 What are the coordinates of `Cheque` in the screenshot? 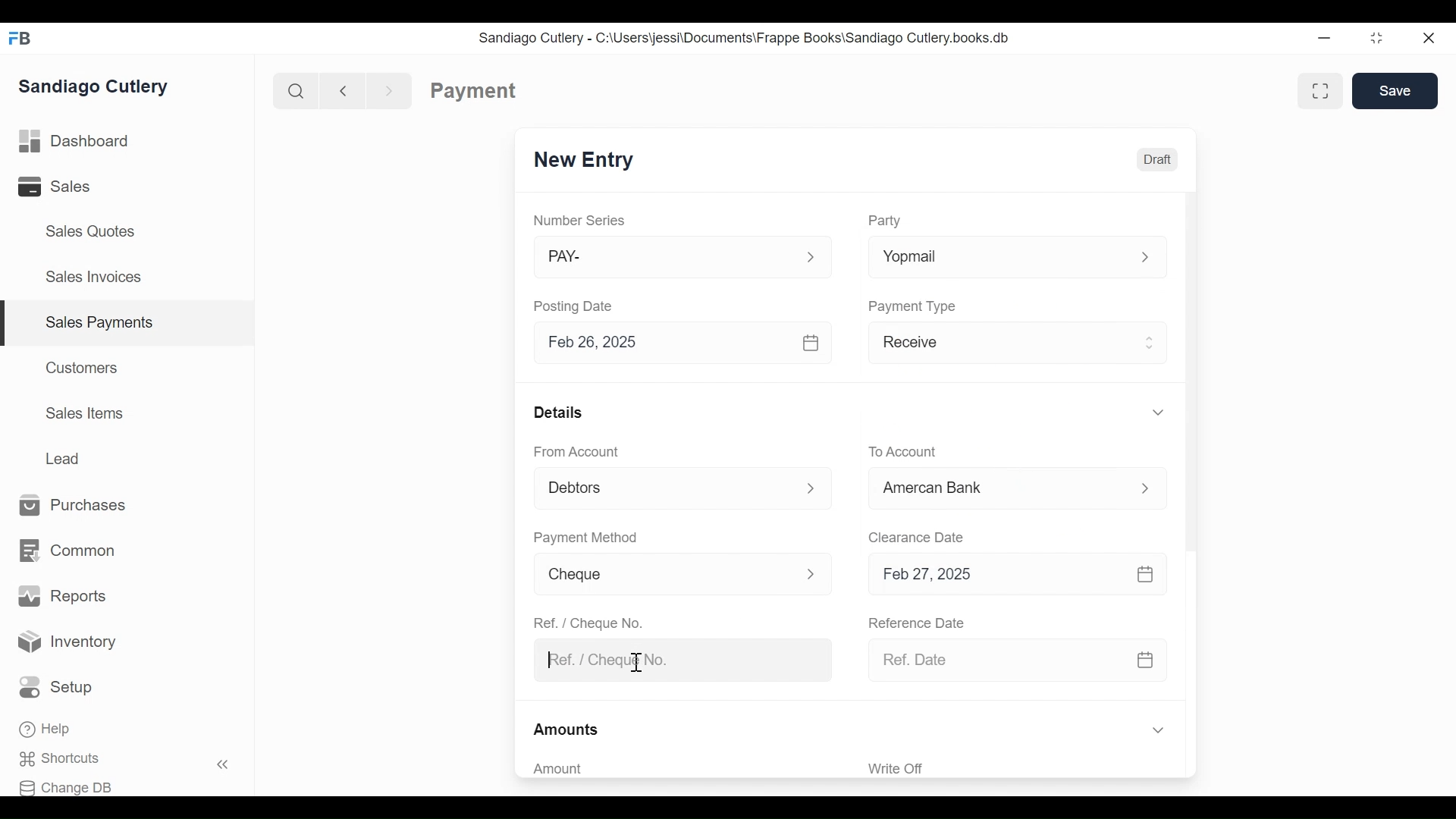 It's located at (658, 575).